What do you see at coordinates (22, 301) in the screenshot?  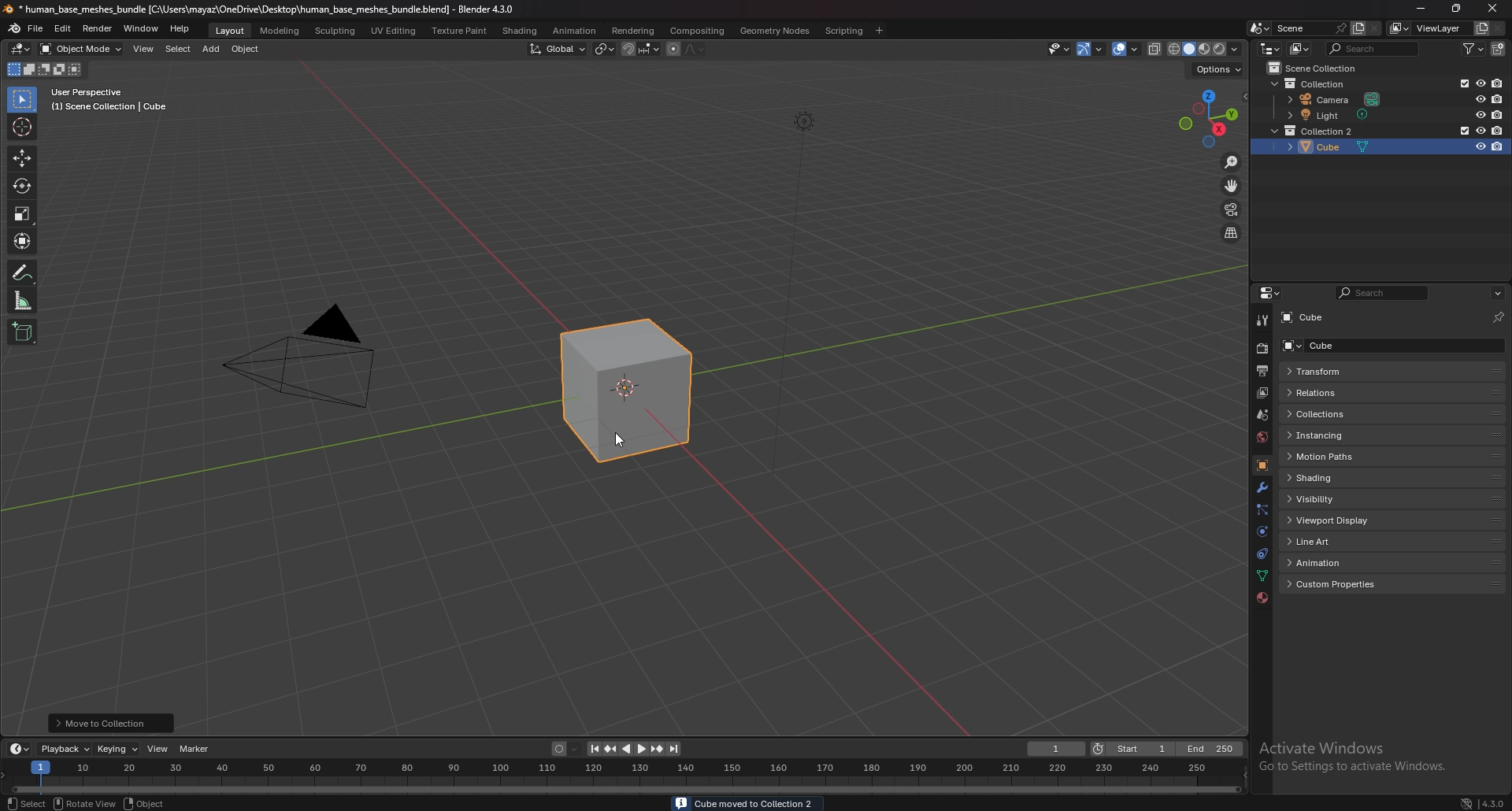 I see `measure` at bounding box center [22, 301].